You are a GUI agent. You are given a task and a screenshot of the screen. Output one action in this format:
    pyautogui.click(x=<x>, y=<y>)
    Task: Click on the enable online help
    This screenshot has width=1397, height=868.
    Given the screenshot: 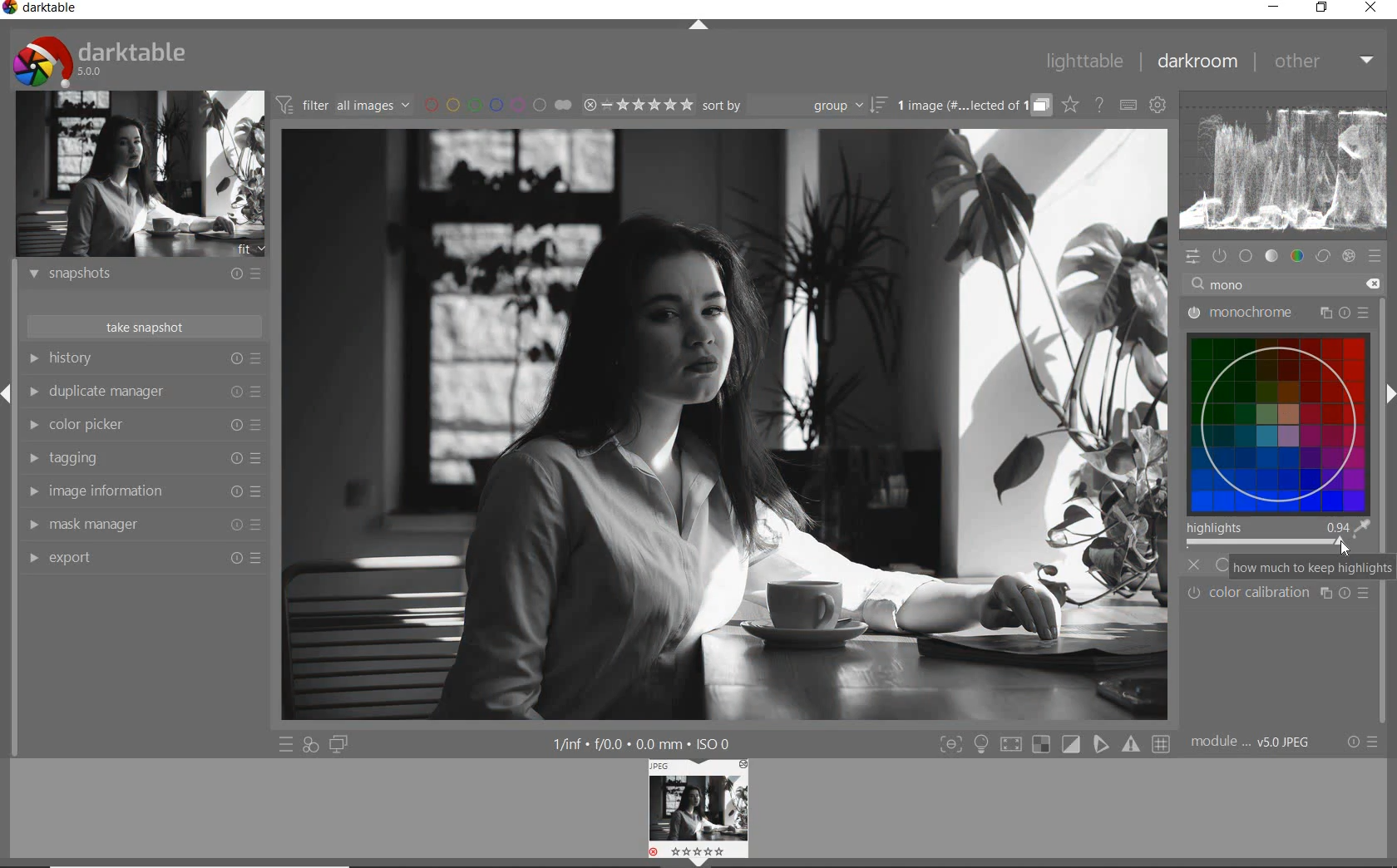 What is the action you would take?
    pyautogui.click(x=1099, y=106)
    